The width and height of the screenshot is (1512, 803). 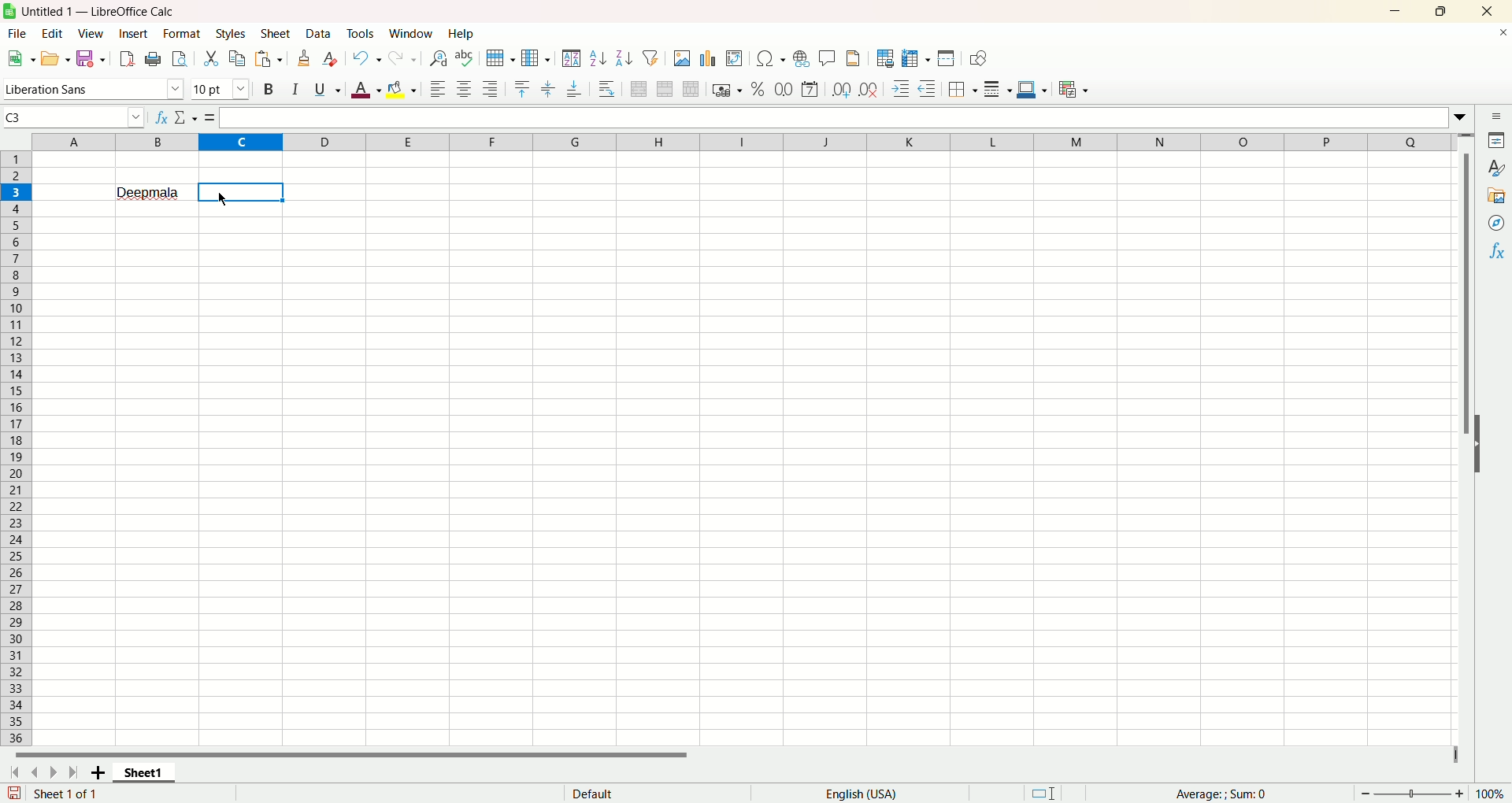 What do you see at coordinates (571, 57) in the screenshot?
I see `Sort` at bounding box center [571, 57].